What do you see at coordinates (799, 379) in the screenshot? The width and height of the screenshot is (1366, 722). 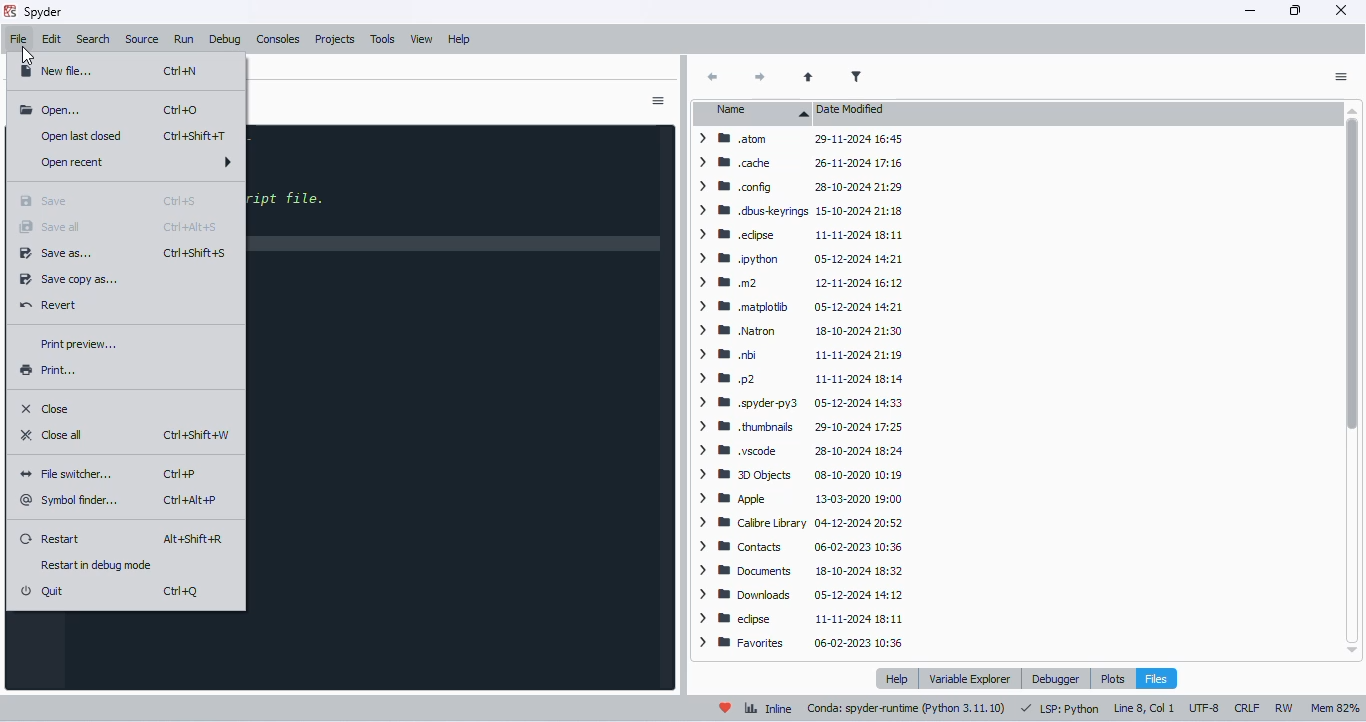 I see `> mp2 11-11-2024 18:14` at bounding box center [799, 379].